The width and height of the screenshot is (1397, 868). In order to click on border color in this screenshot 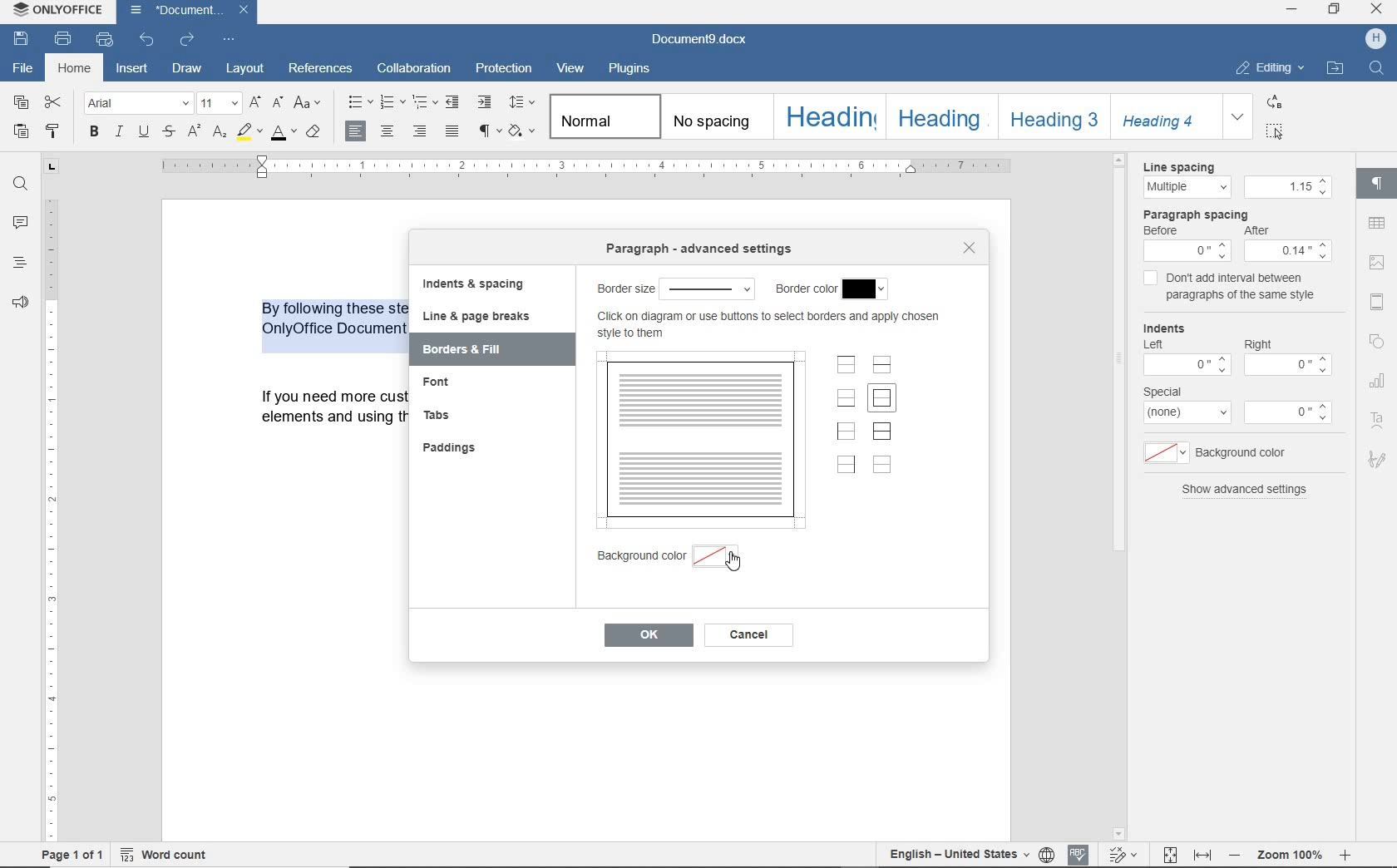, I will do `click(804, 289)`.